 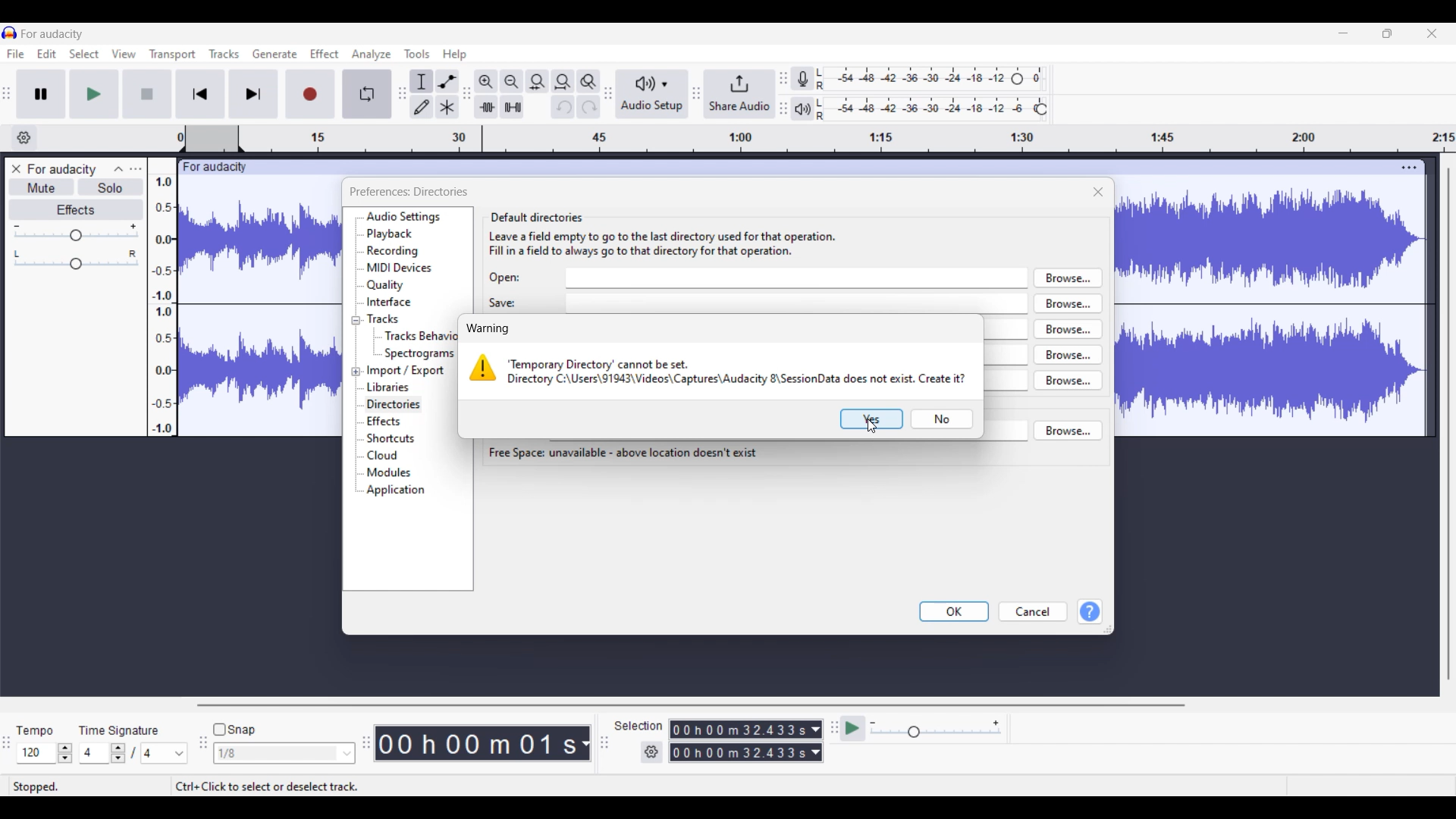 I want to click on Audio setup, so click(x=652, y=93).